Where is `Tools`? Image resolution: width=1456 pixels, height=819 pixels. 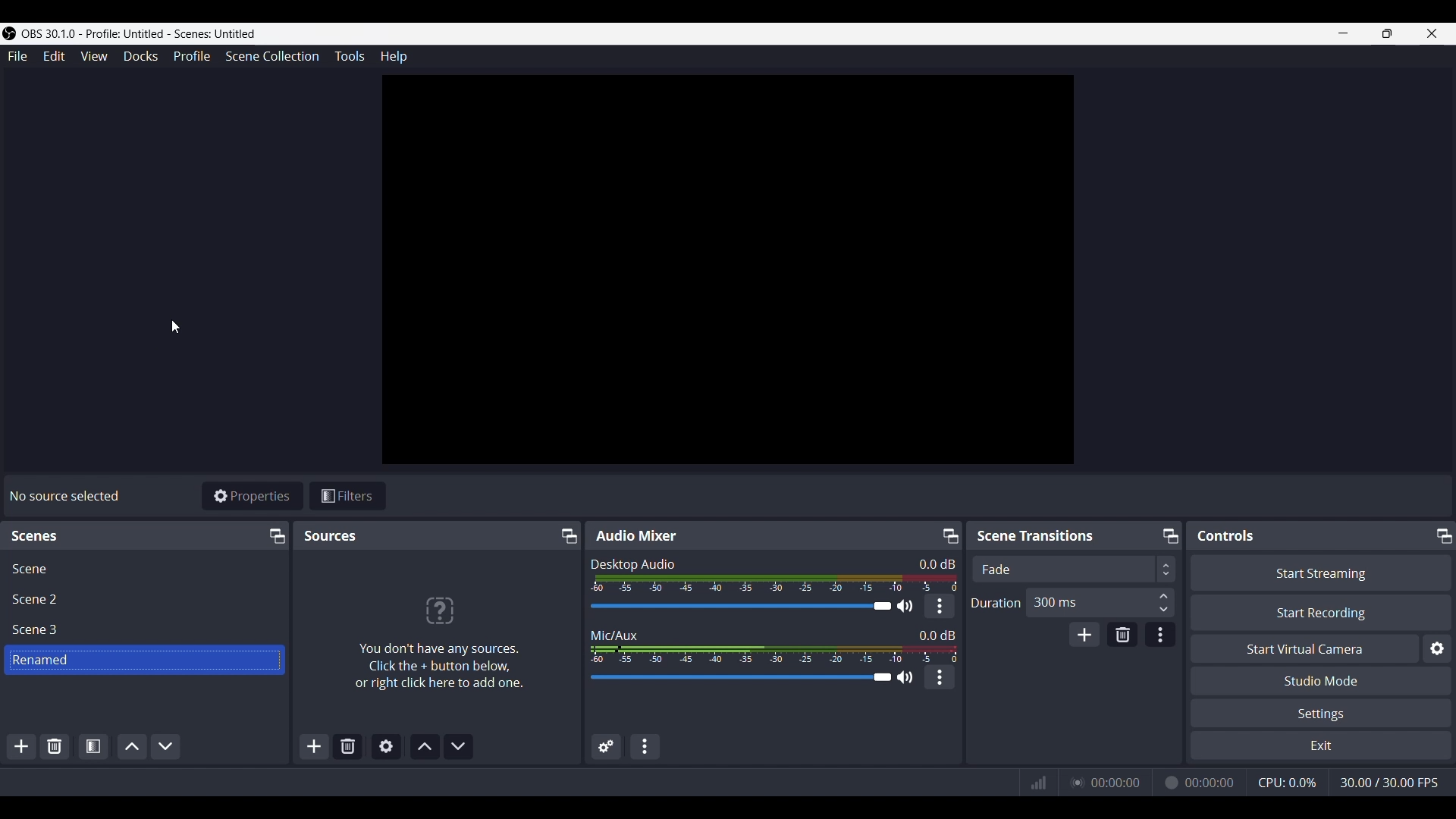 Tools is located at coordinates (350, 55).